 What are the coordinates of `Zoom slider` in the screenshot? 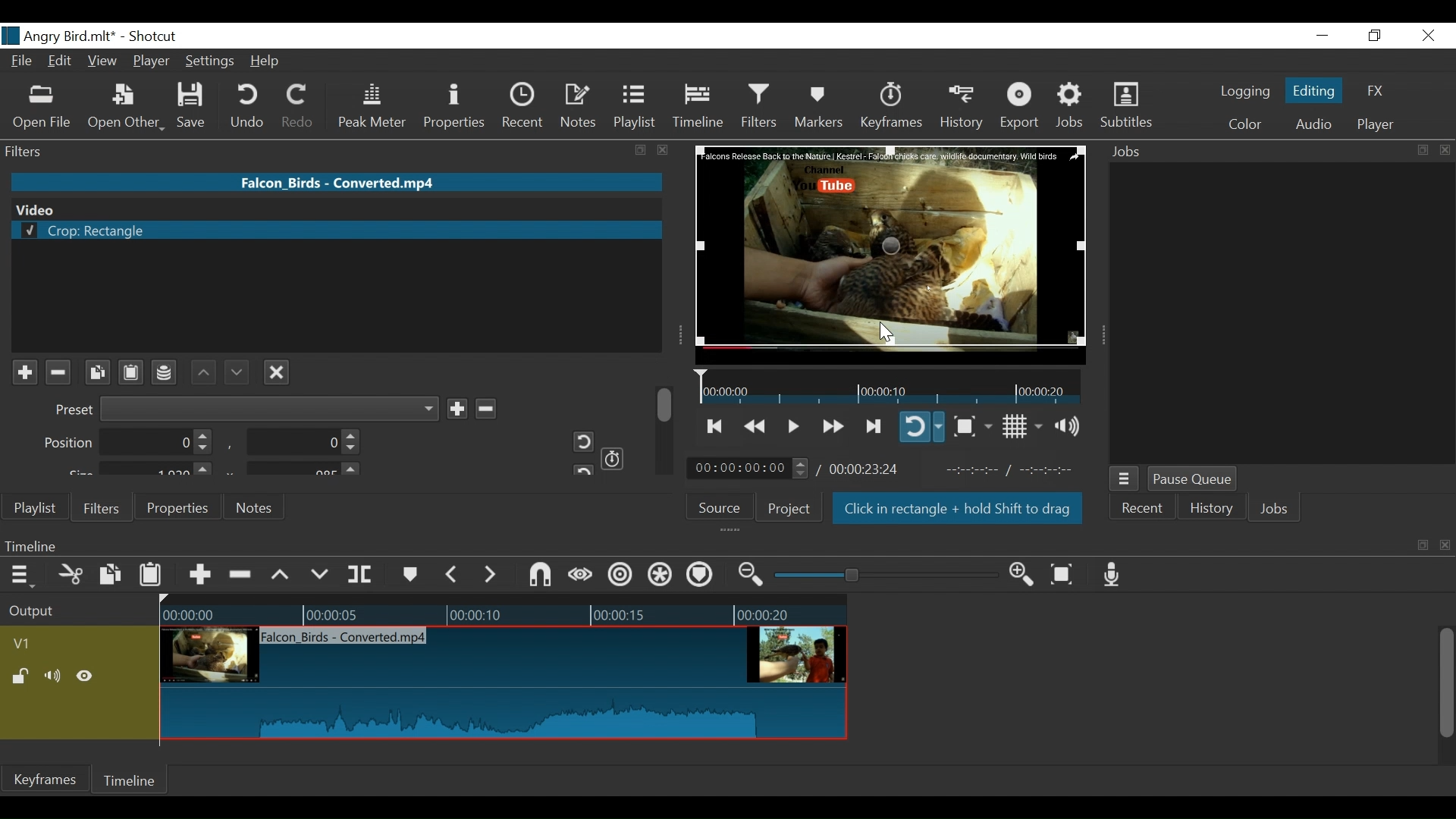 It's located at (889, 575).